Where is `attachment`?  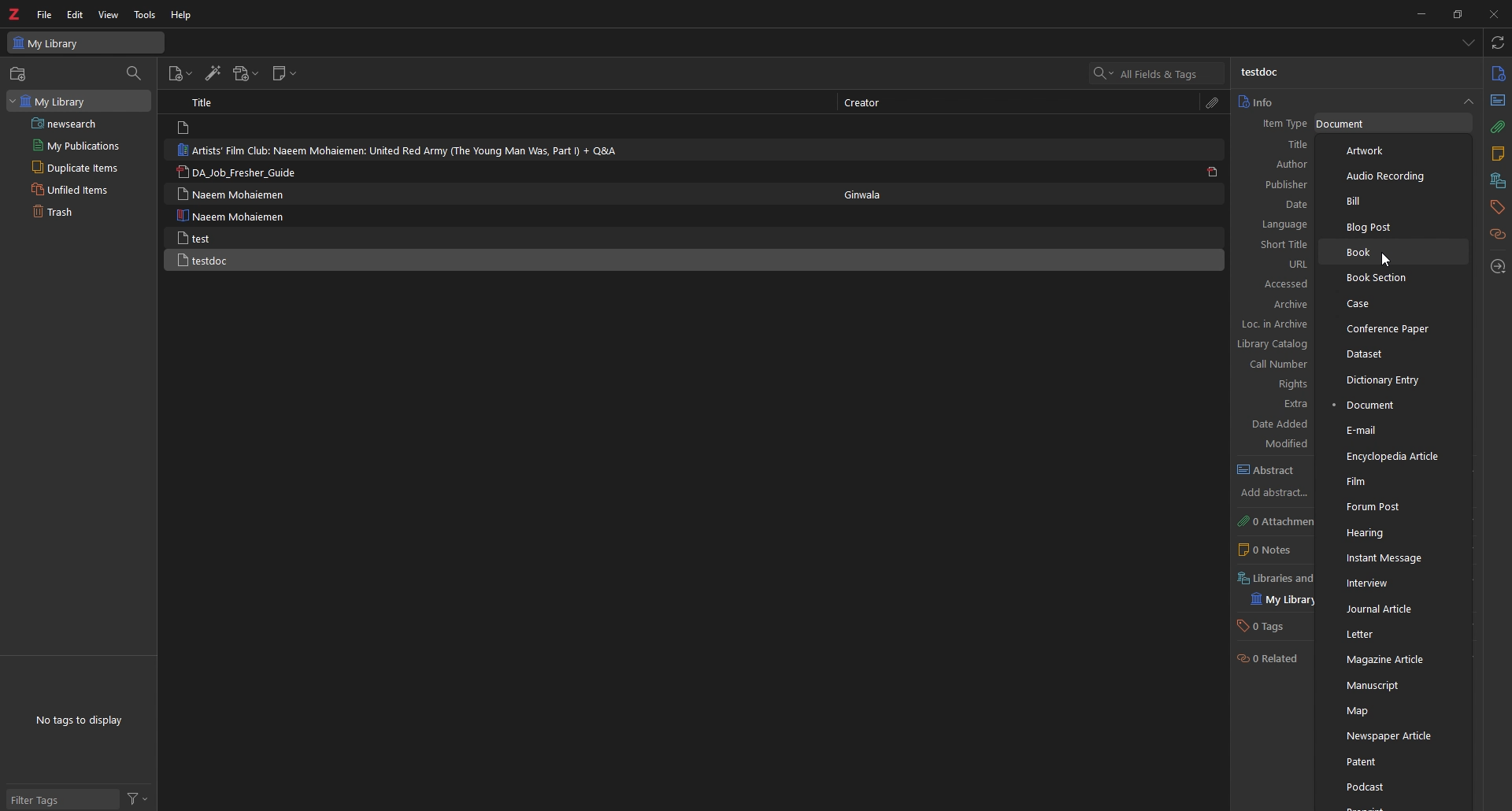 attachment is located at coordinates (1499, 128).